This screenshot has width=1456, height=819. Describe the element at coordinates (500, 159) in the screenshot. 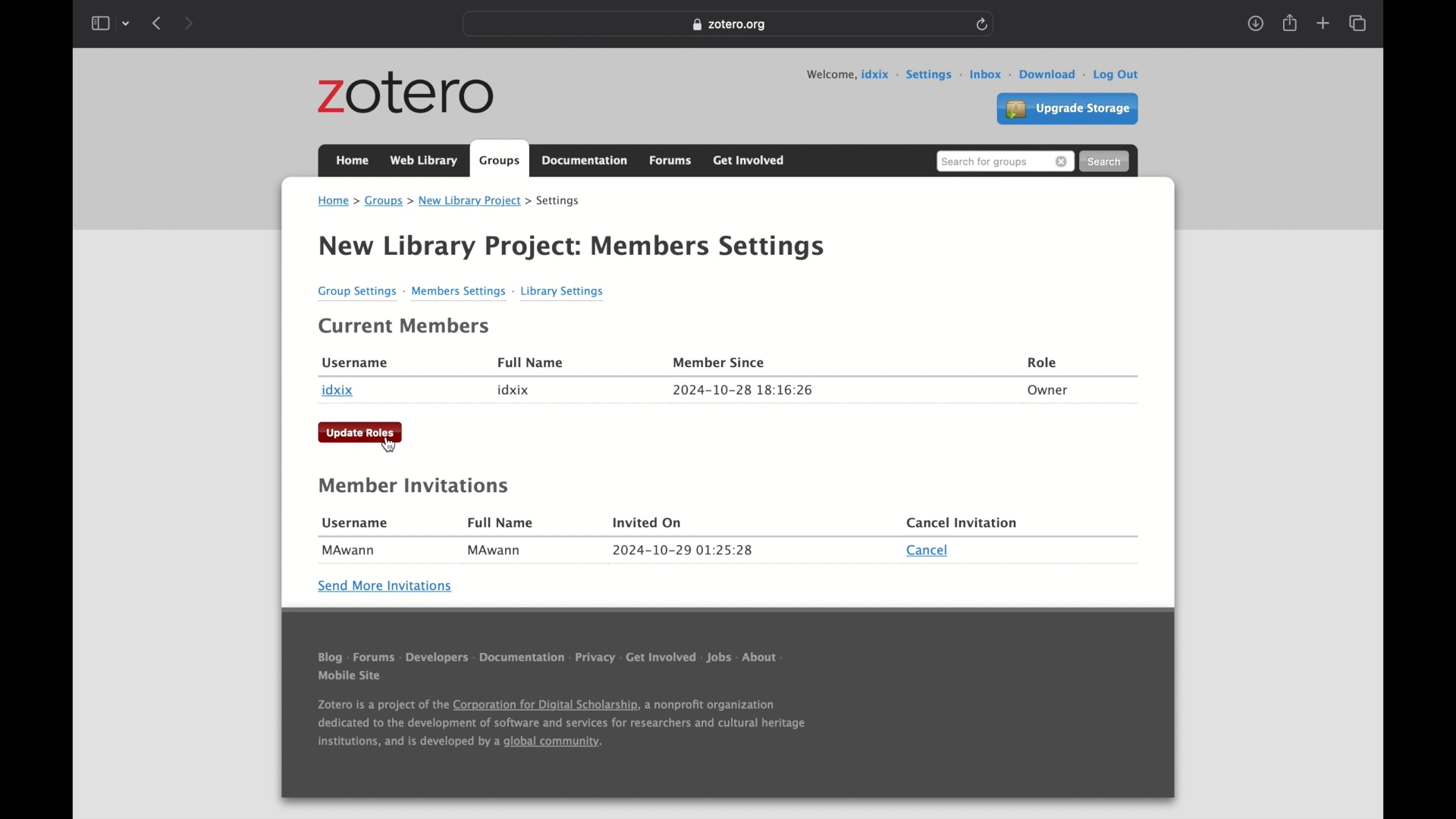

I see `groups` at that location.